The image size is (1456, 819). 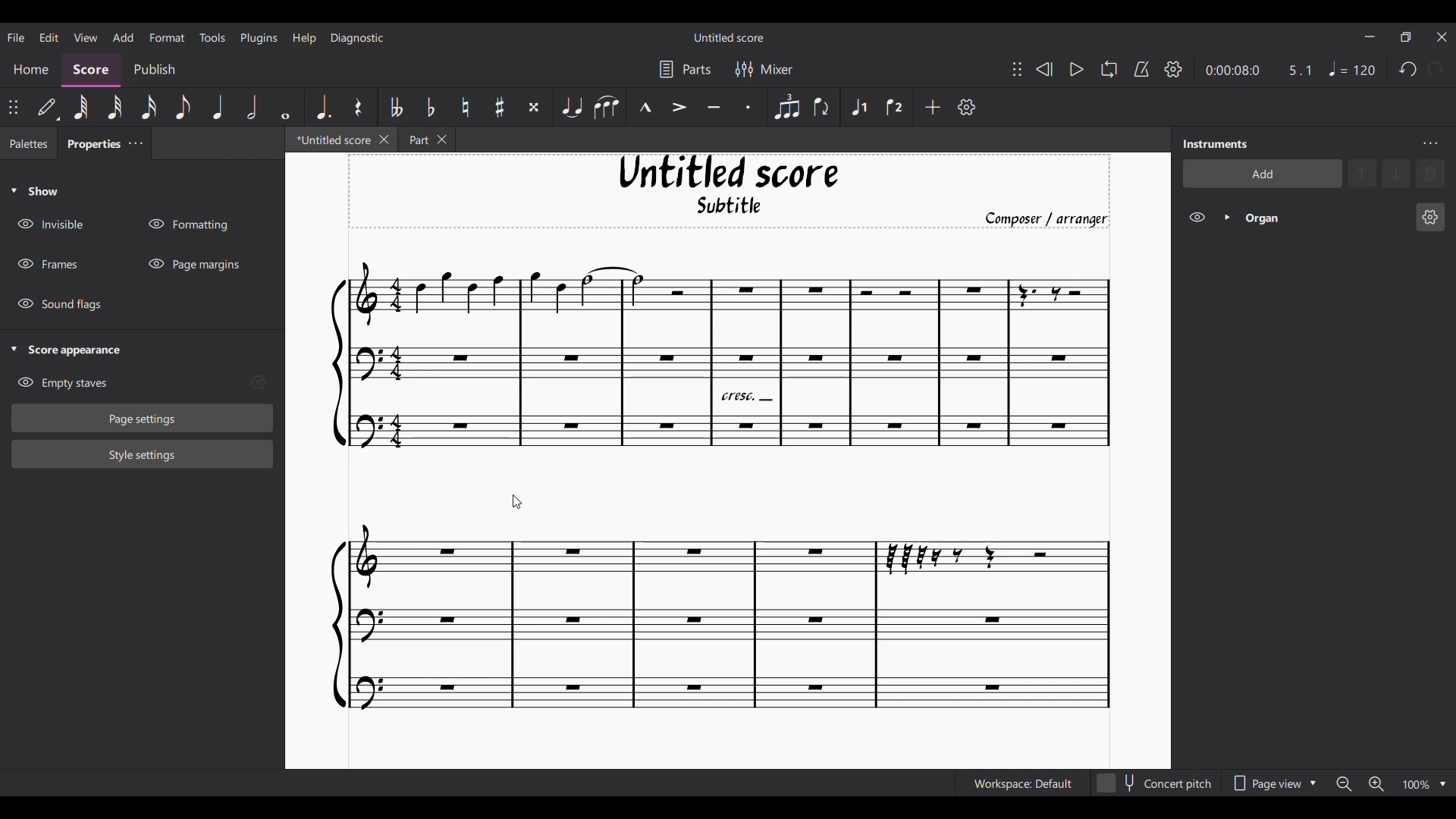 What do you see at coordinates (1442, 37) in the screenshot?
I see `Close interface` at bounding box center [1442, 37].